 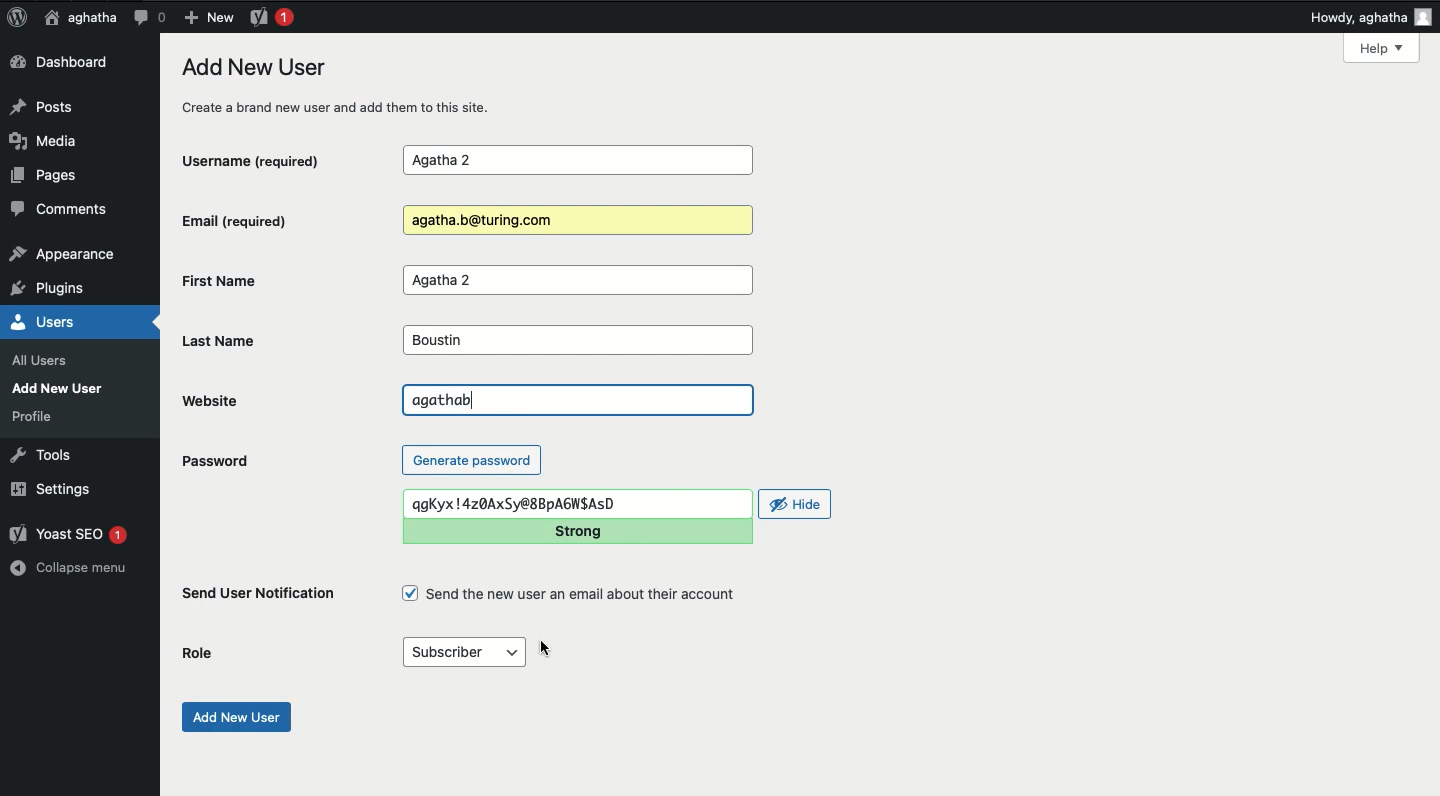 What do you see at coordinates (259, 400) in the screenshot?
I see `Website` at bounding box center [259, 400].